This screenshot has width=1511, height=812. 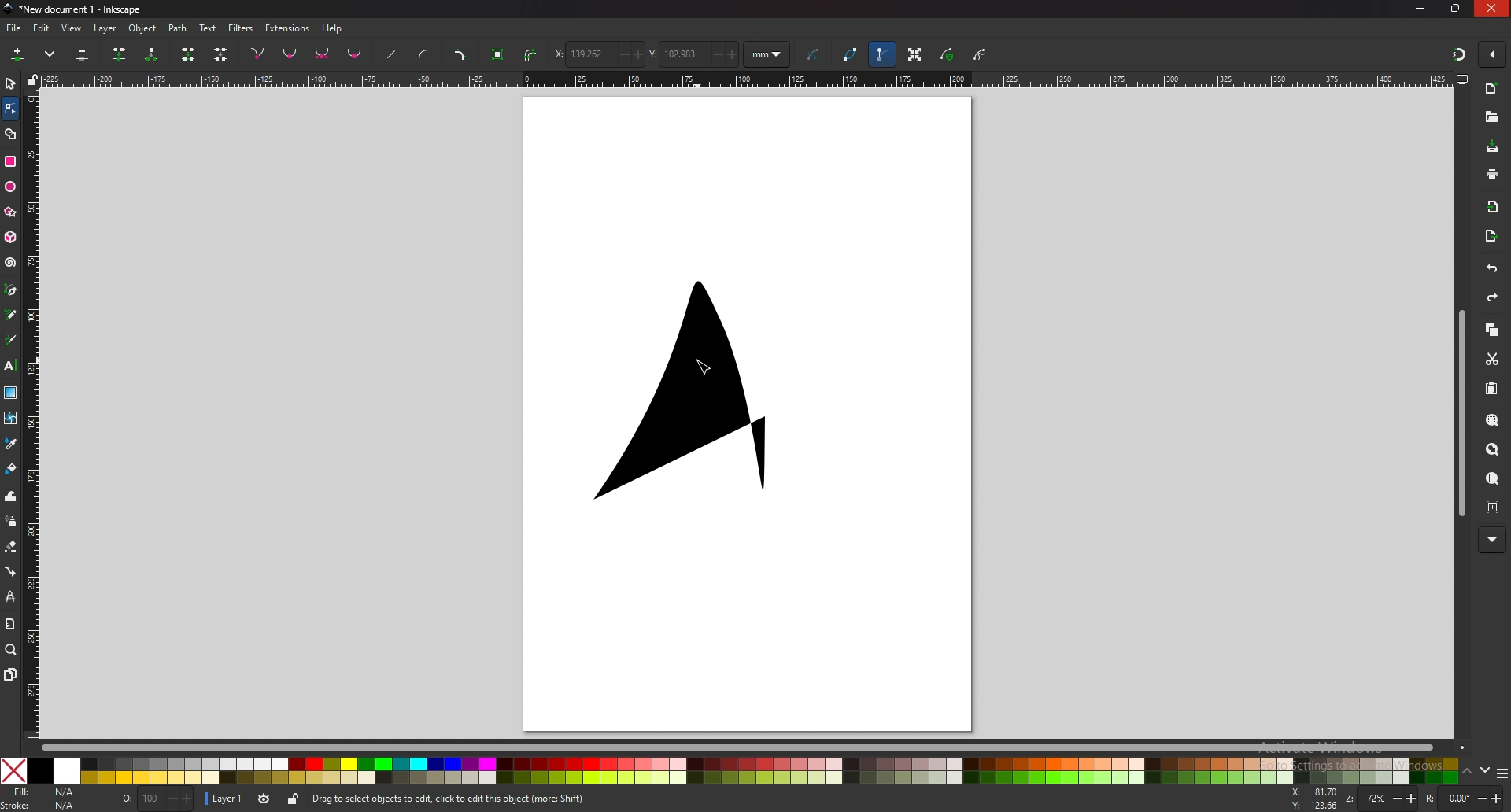 What do you see at coordinates (10, 570) in the screenshot?
I see `connector` at bounding box center [10, 570].